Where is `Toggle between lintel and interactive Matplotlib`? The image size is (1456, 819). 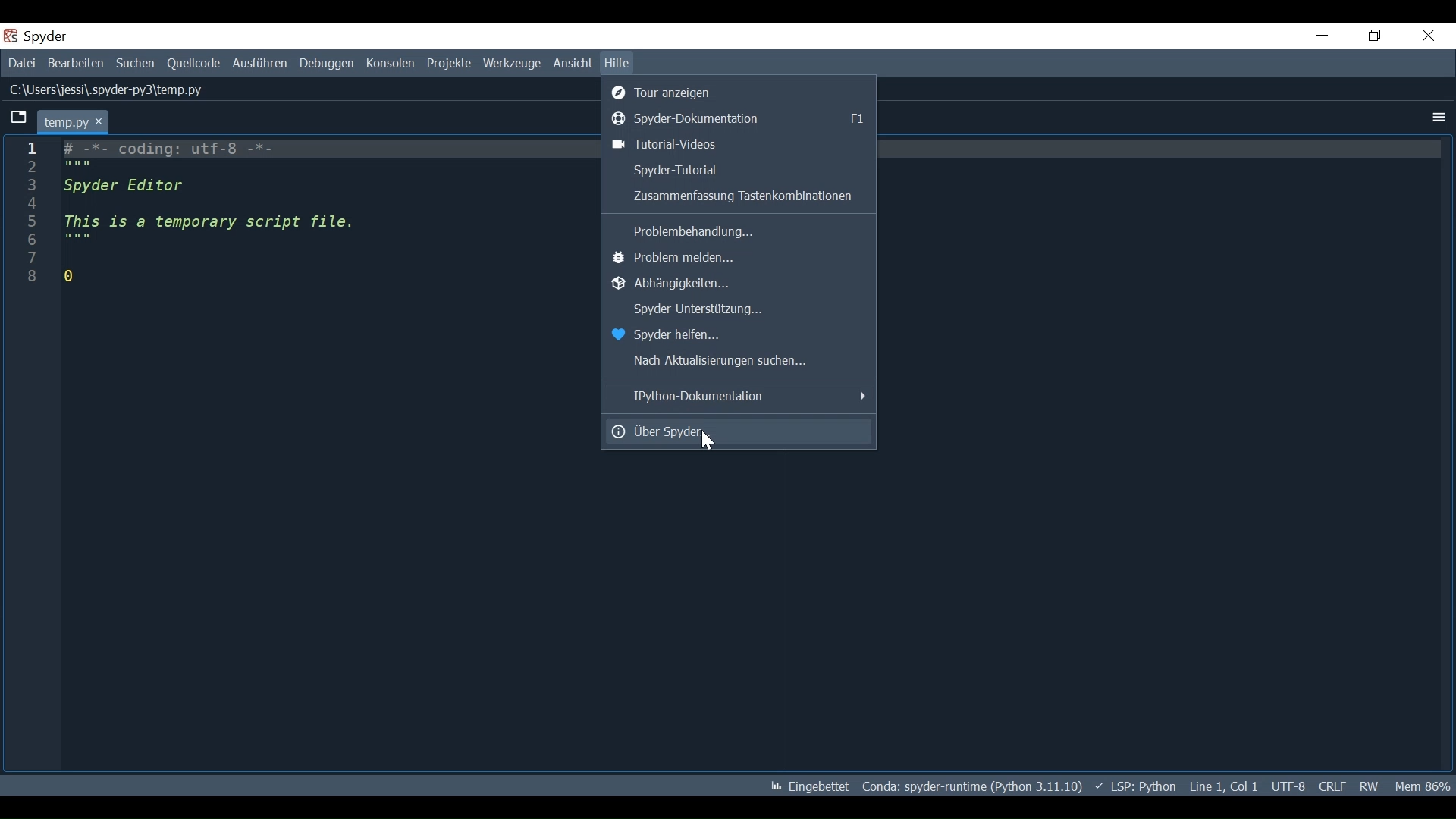
Toggle between lintel and interactive Matplotlib is located at coordinates (808, 786).